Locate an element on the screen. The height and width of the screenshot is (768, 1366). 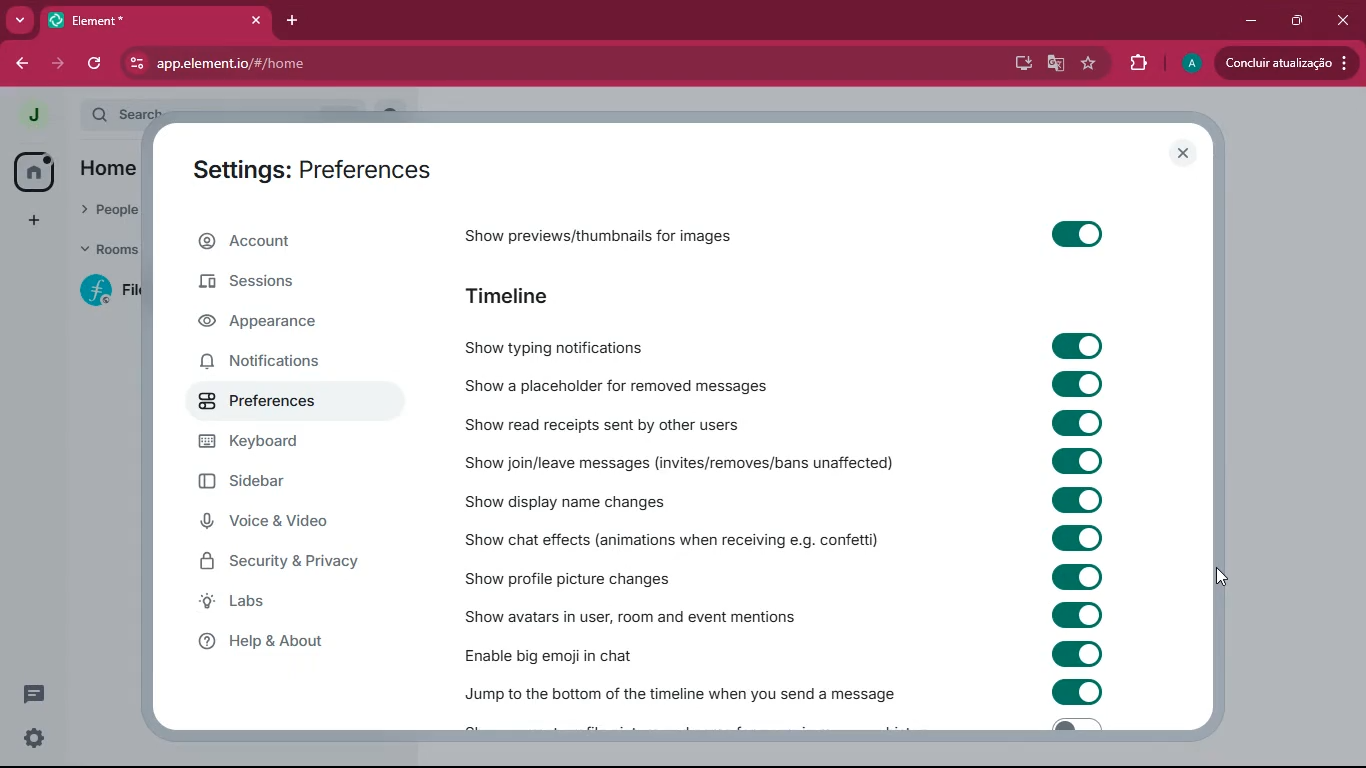
concluir atualizacao is located at coordinates (1284, 62).